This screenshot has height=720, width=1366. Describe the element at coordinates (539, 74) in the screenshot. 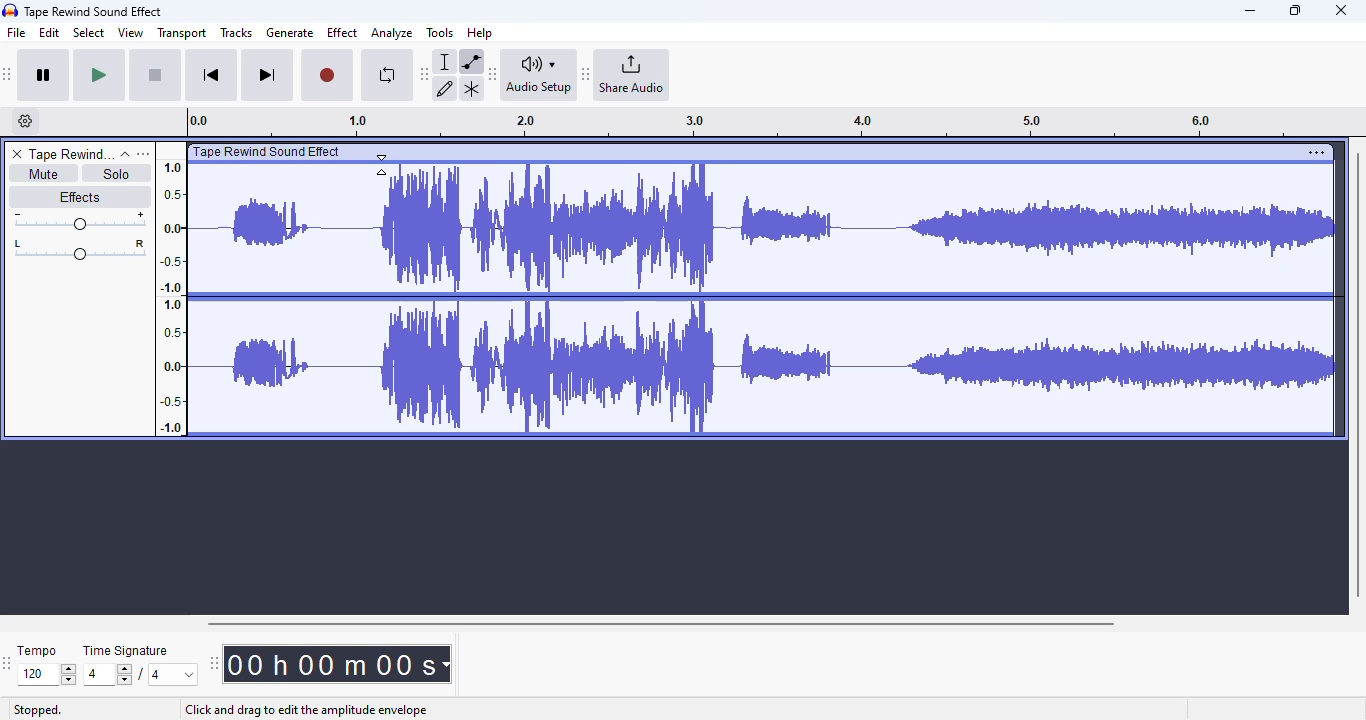

I see `audio setup` at that location.